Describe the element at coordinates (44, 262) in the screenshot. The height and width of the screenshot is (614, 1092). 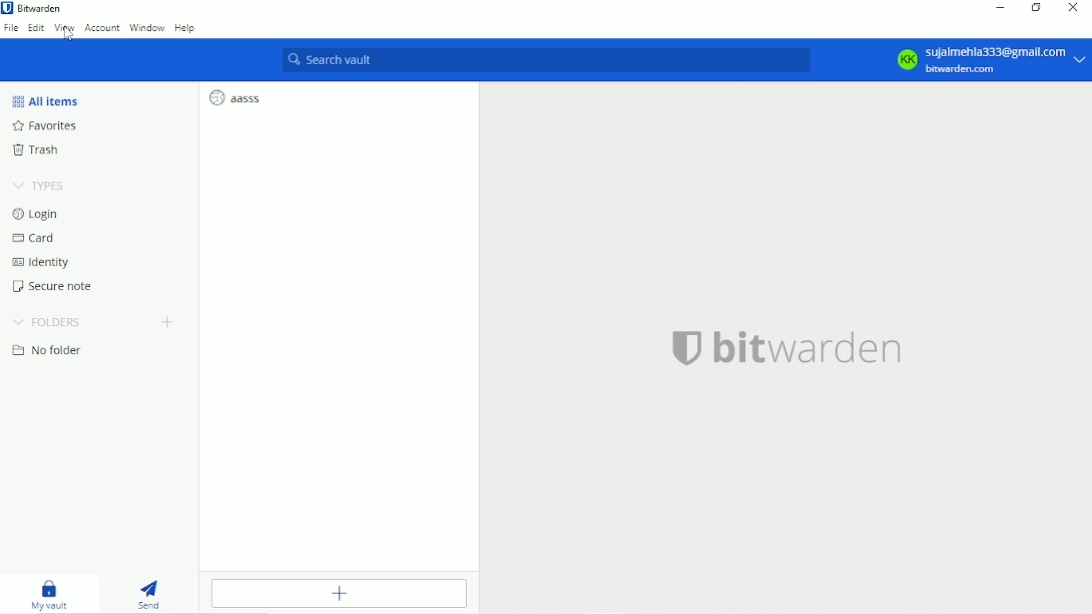
I see `Identity` at that location.